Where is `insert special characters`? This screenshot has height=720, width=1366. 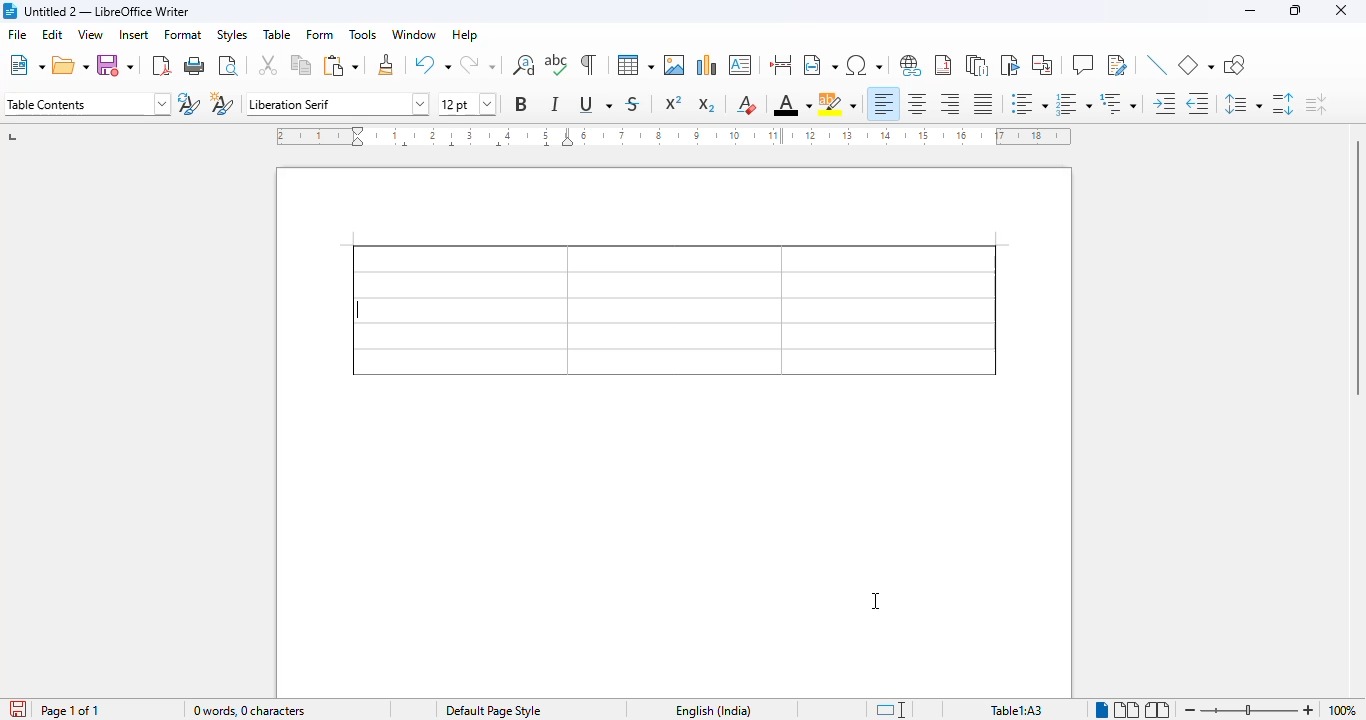
insert special characters is located at coordinates (864, 65).